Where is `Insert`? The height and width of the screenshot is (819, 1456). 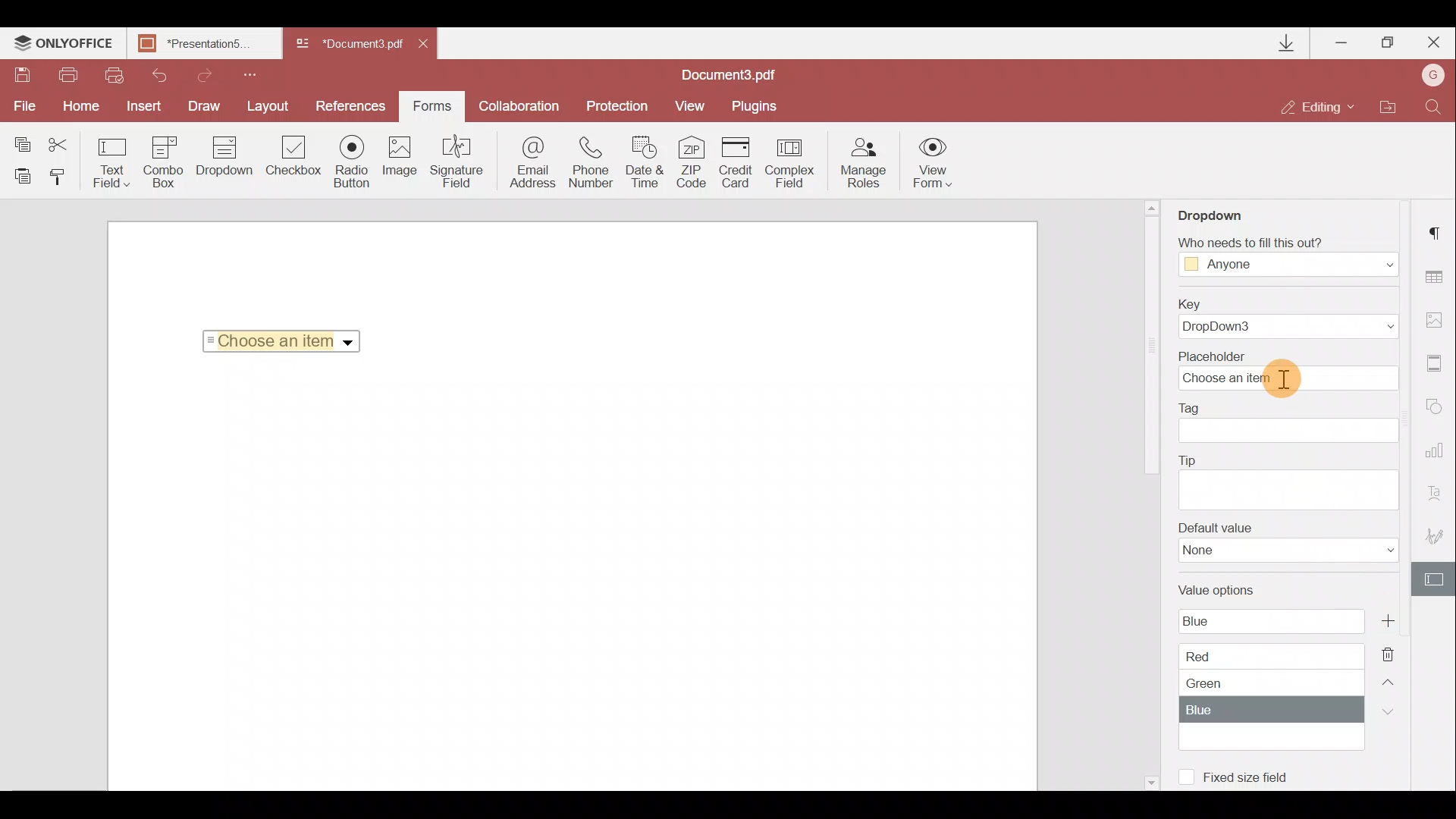 Insert is located at coordinates (147, 106).